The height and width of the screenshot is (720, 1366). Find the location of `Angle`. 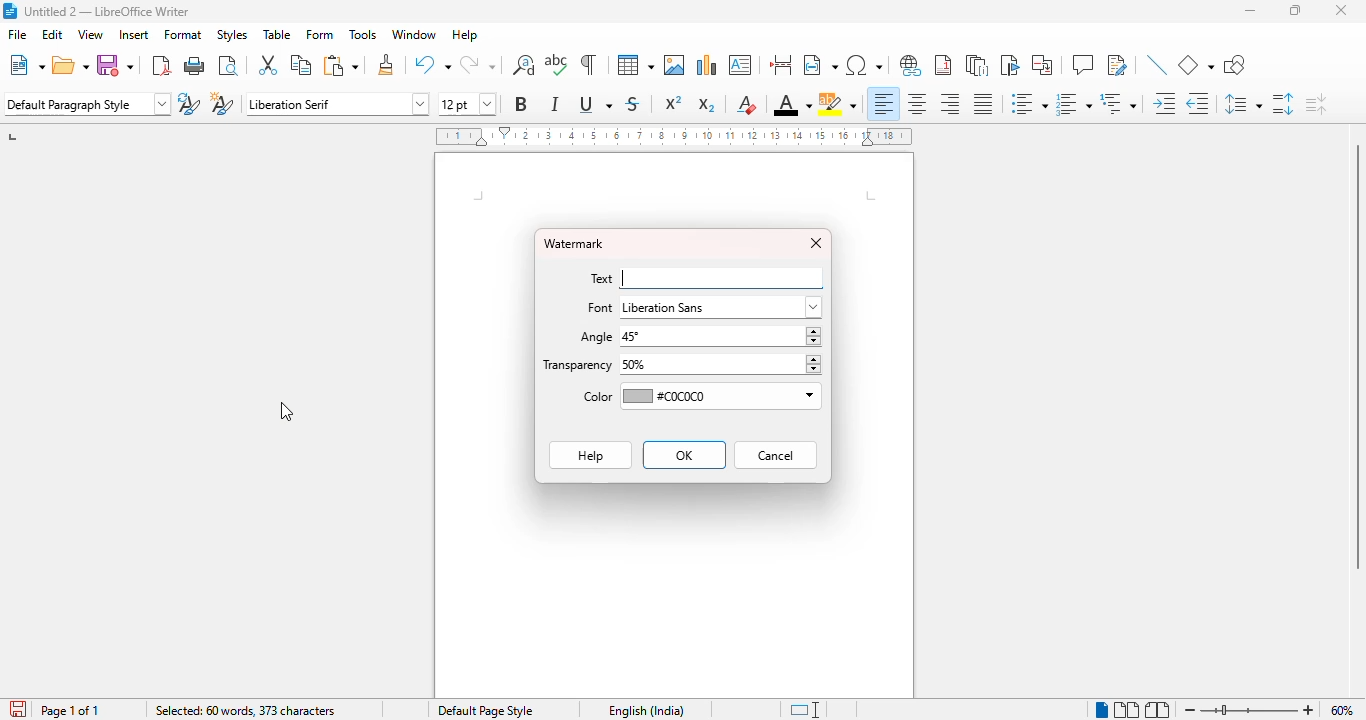

Angle is located at coordinates (593, 340).